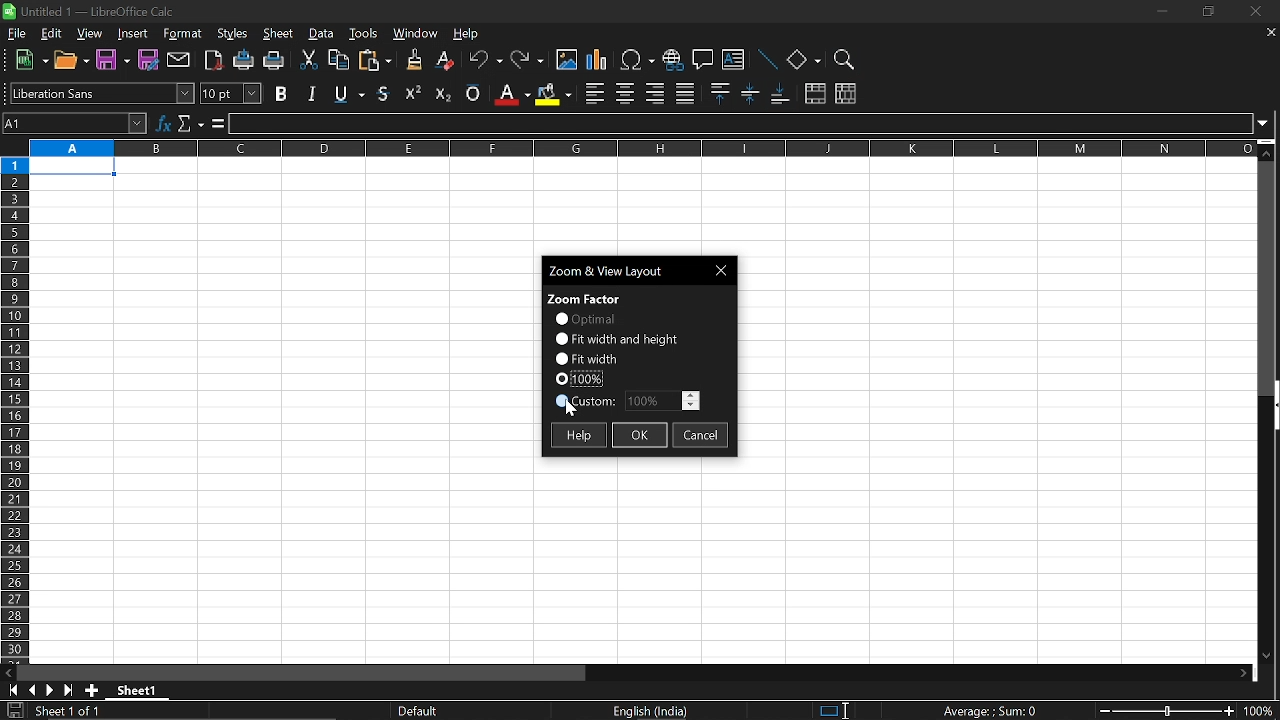  What do you see at coordinates (766, 61) in the screenshot?
I see `line ` at bounding box center [766, 61].